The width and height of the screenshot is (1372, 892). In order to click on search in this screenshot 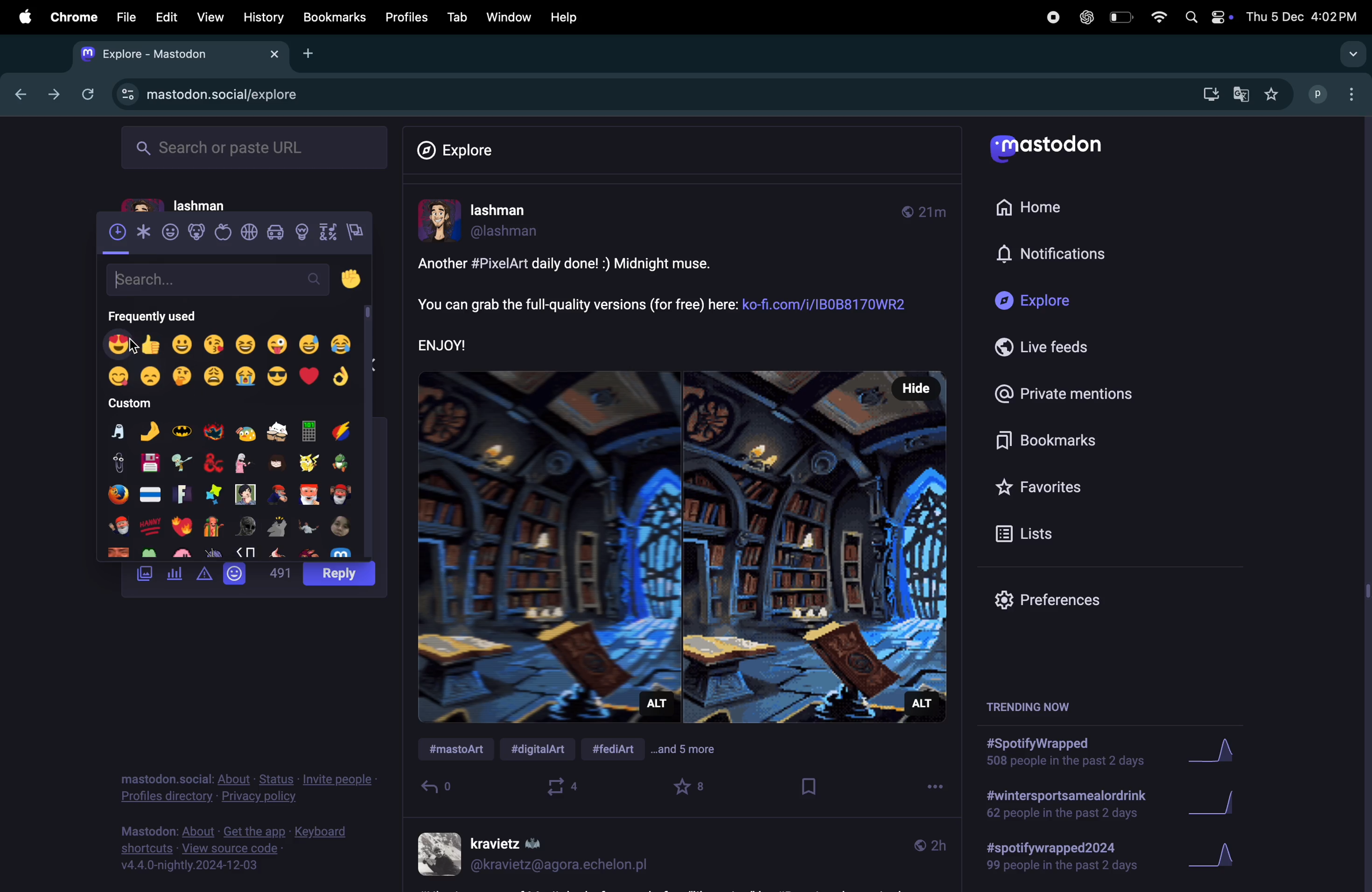, I will do `click(240, 279)`.